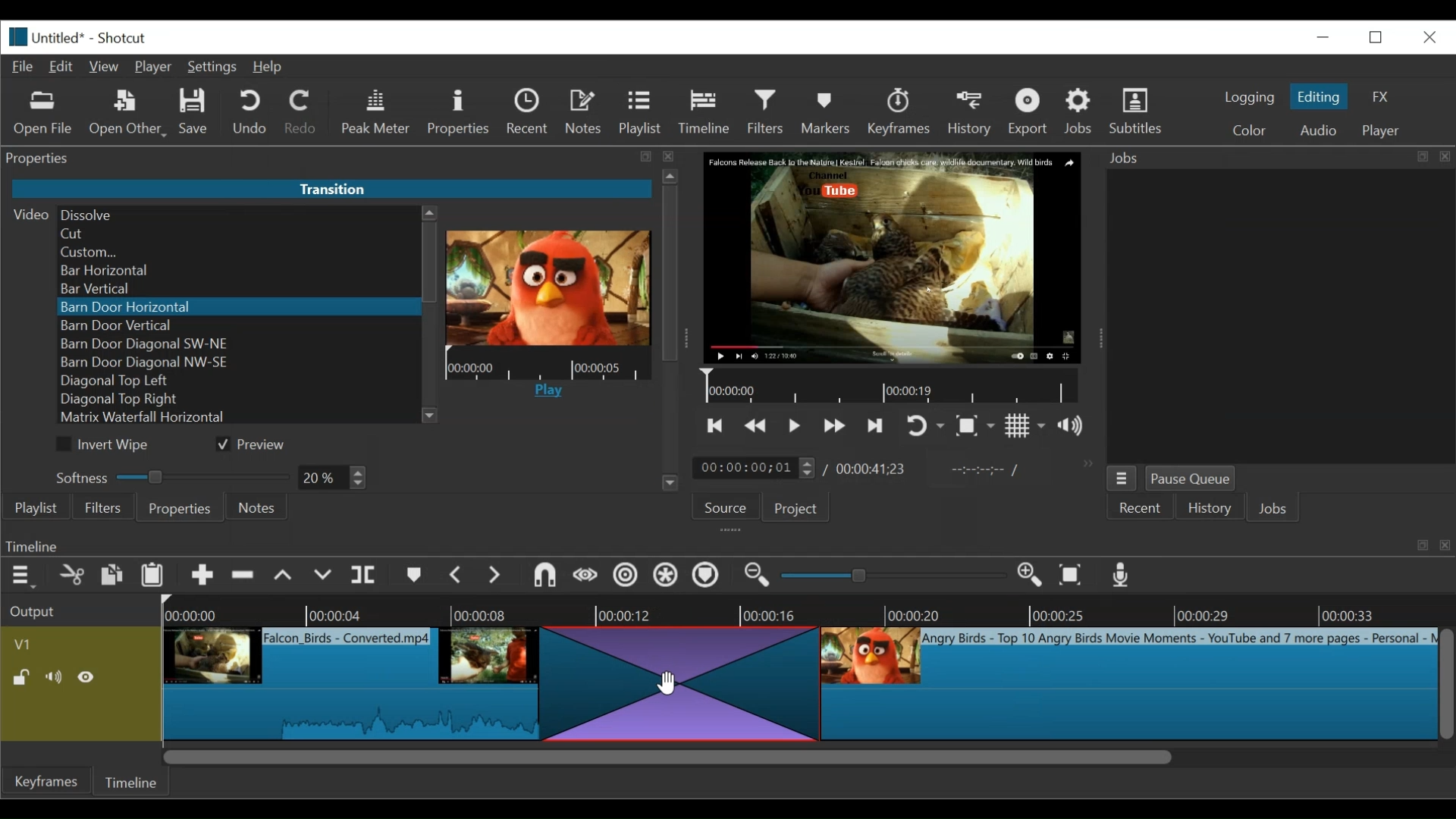  What do you see at coordinates (269, 67) in the screenshot?
I see `Help` at bounding box center [269, 67].